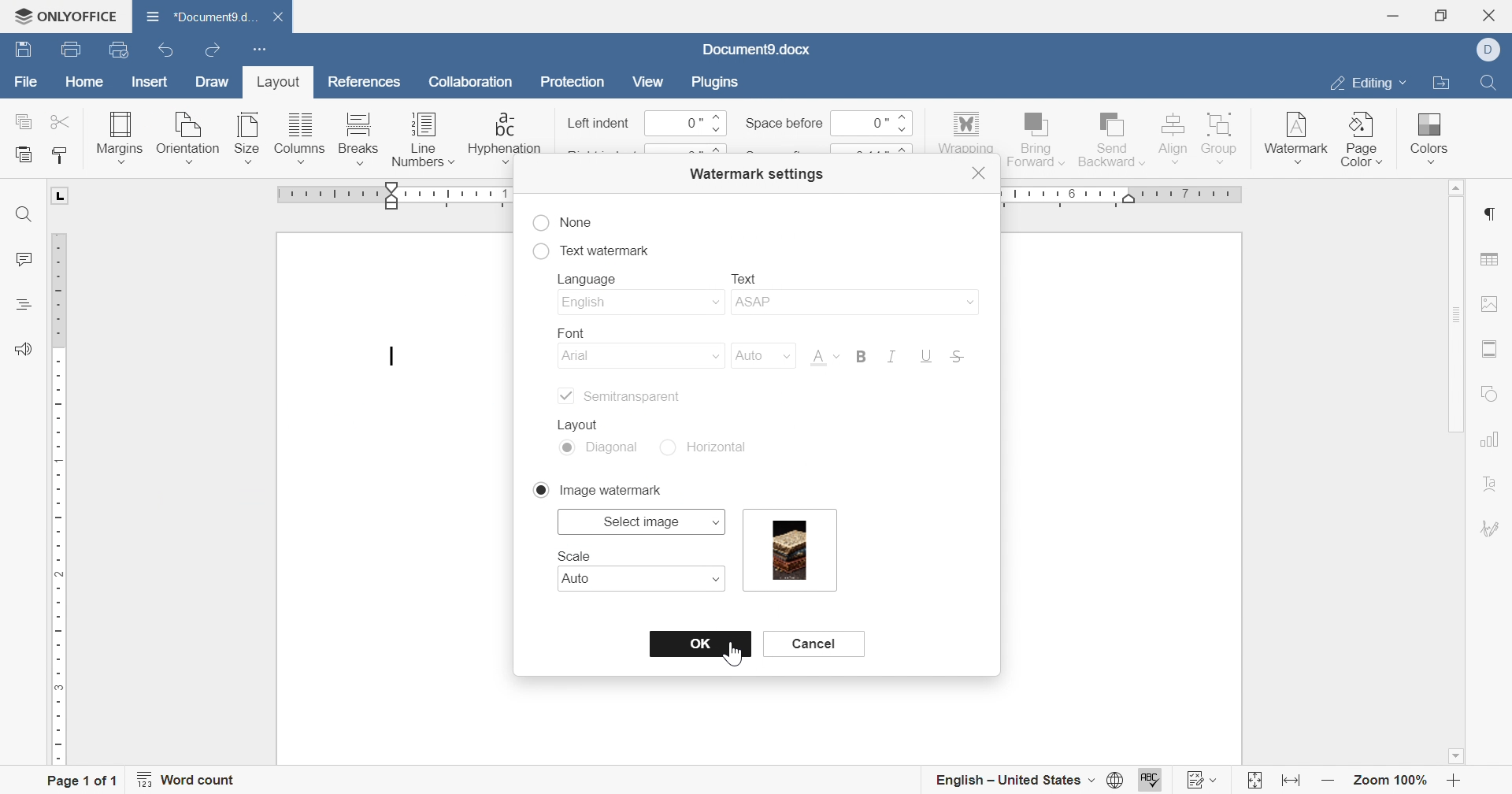 The height and width of the screenshot is (794, 1512). What do you see at coordinates (811, 643) in the screenshot?
I see `cancel` at bounding box center [811, 643].